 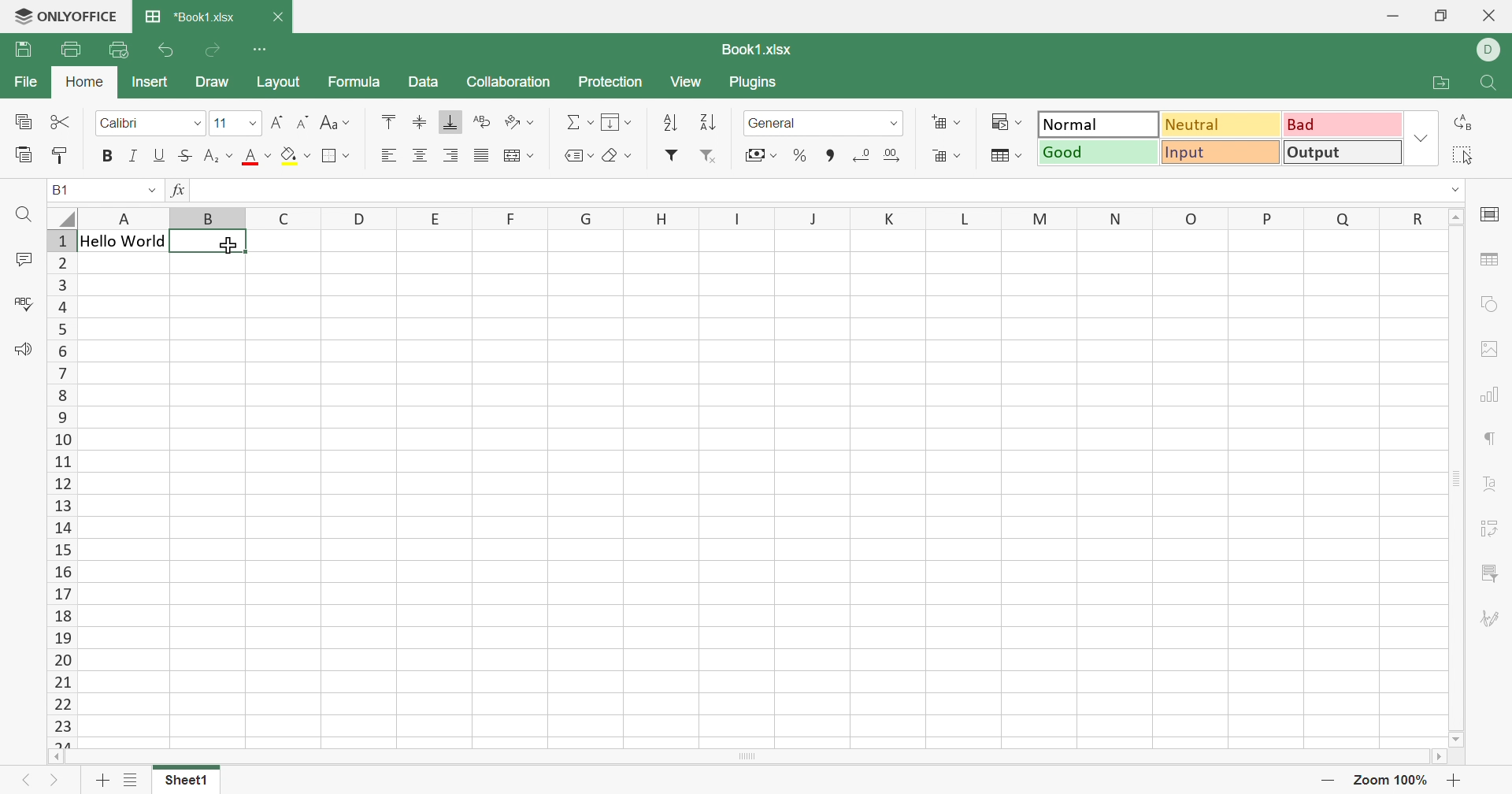 What do you see at coordinates (1440, 84) in the screenshot?
I see `Open file location` at bounding box center [1440, 84].